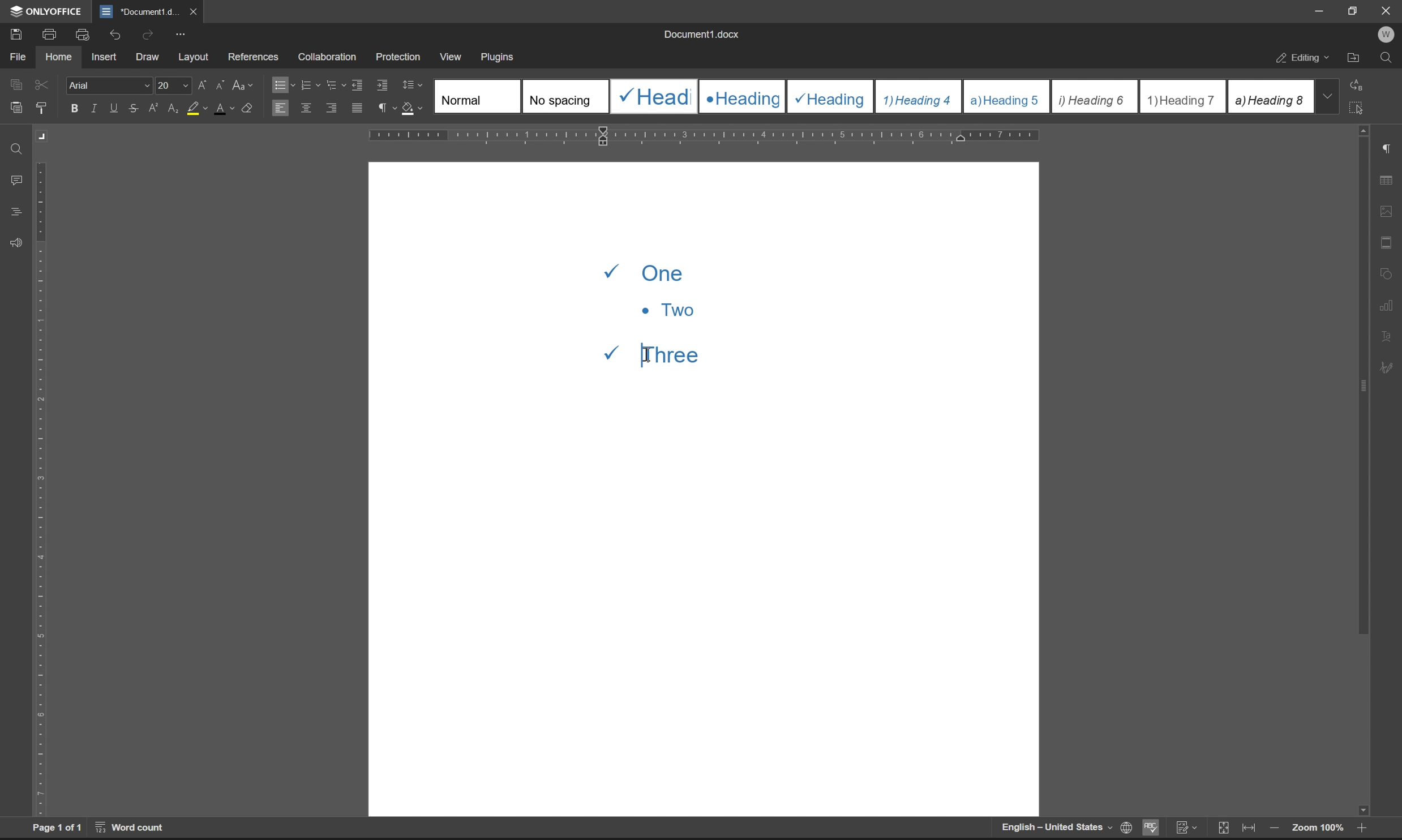  Describe the element at coordinates (113, 36) in the screenshot. I see `undo` at that location.